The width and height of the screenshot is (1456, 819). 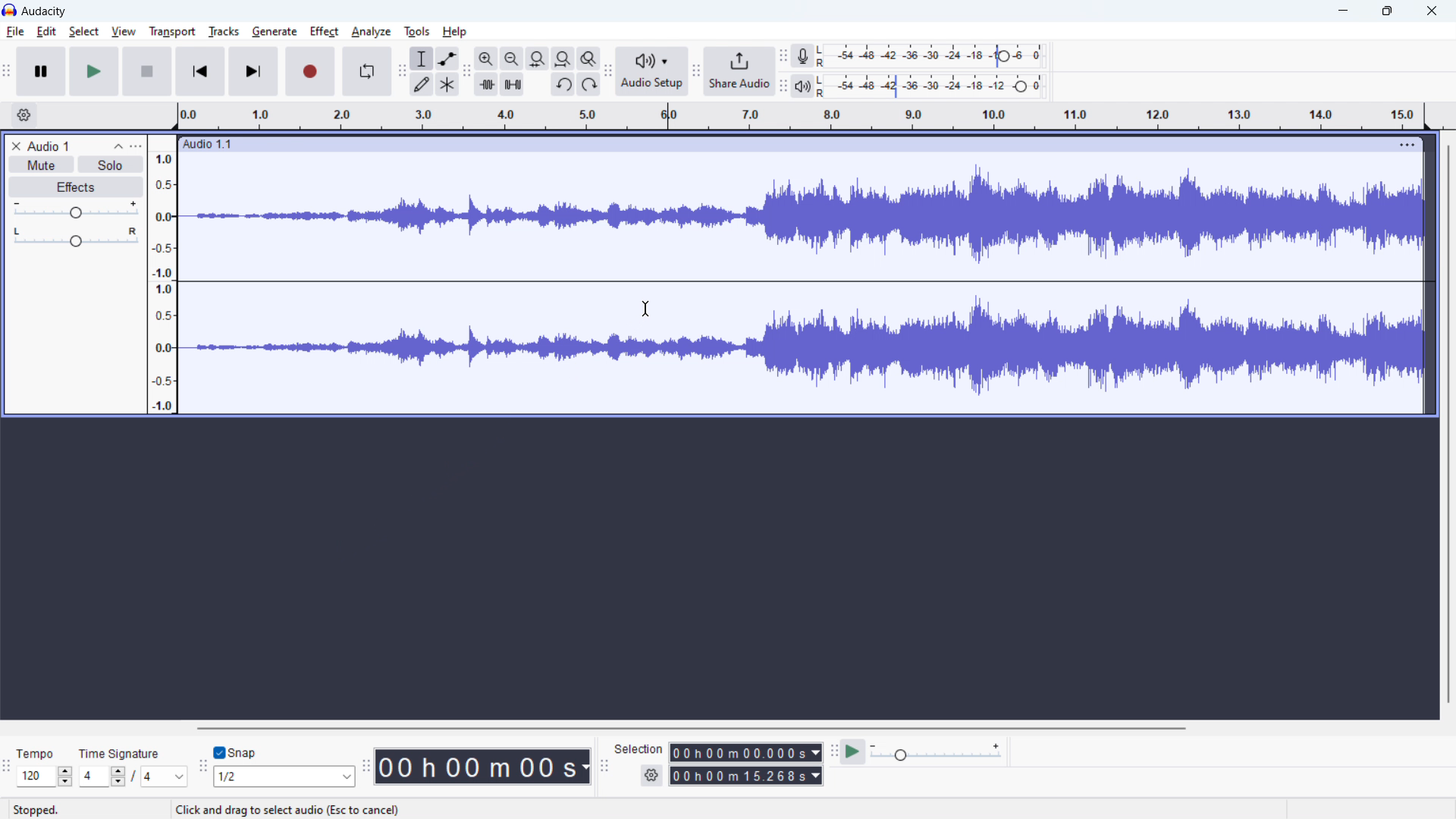 What do you see at coordinates (40, 749) in the screenshot?
I see `Tempo` at bounding box center [40, 749].